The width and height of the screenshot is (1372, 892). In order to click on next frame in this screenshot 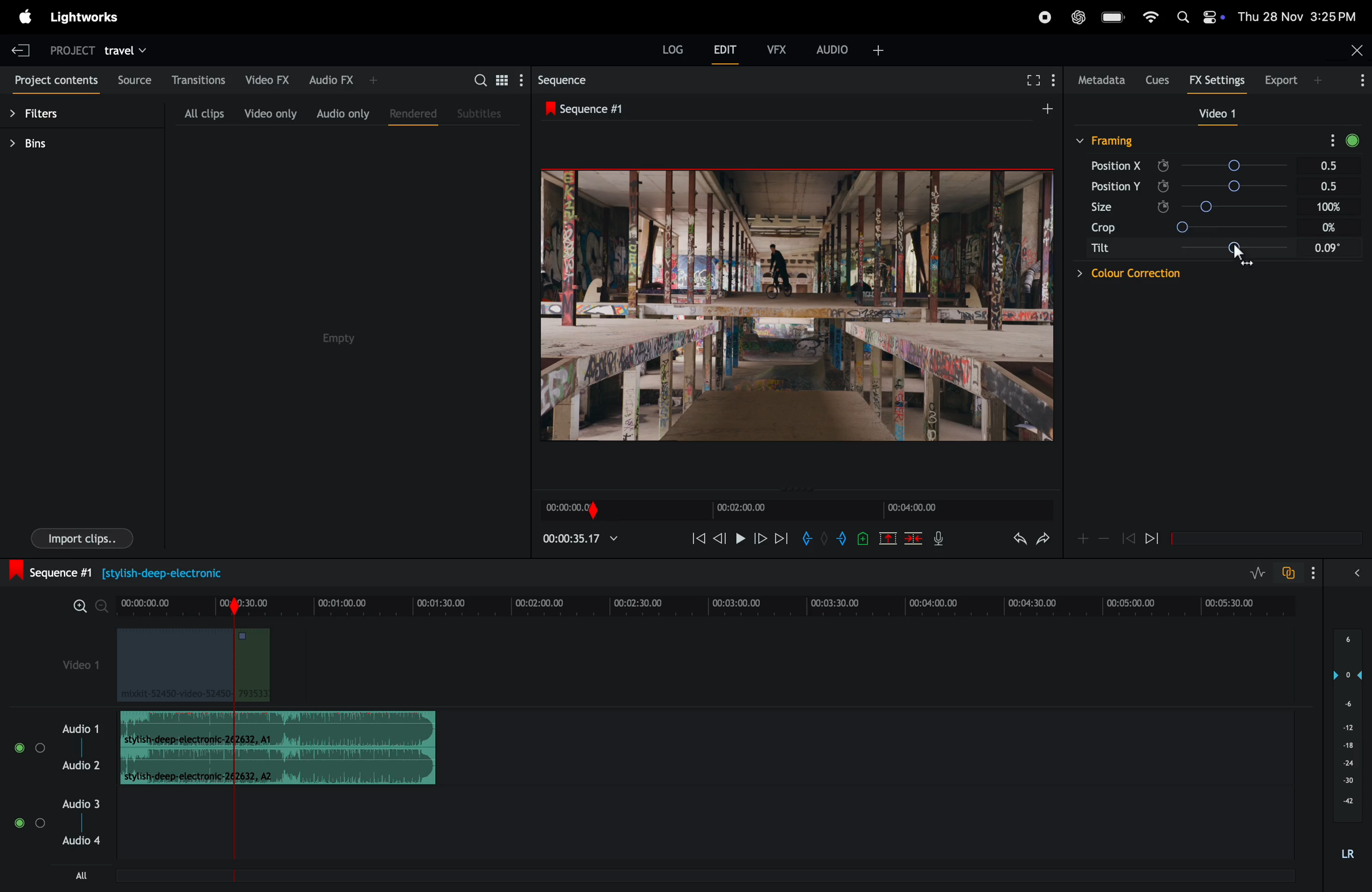, I will do `click(759, 540)`.